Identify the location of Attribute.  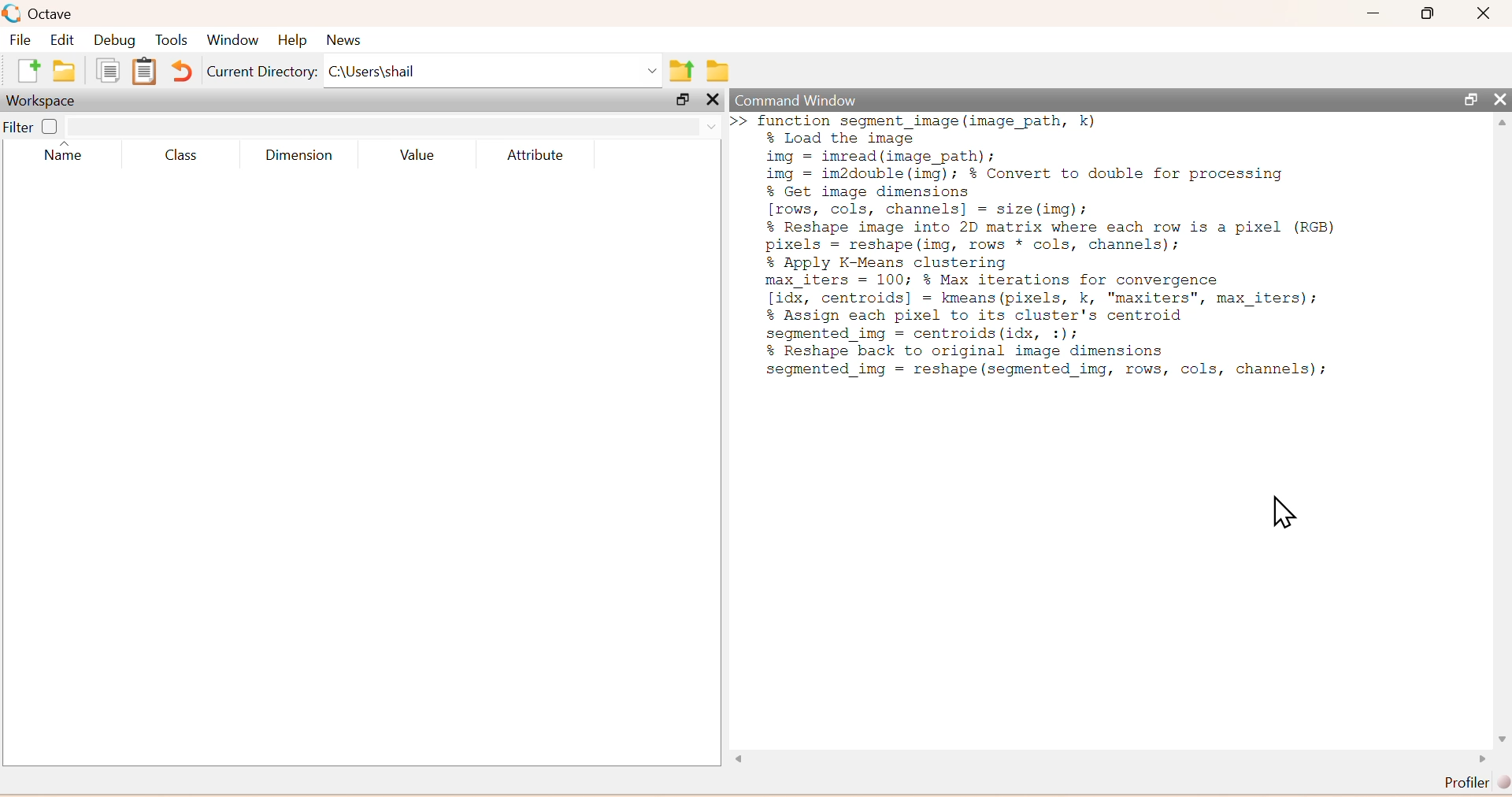
(532, 156).